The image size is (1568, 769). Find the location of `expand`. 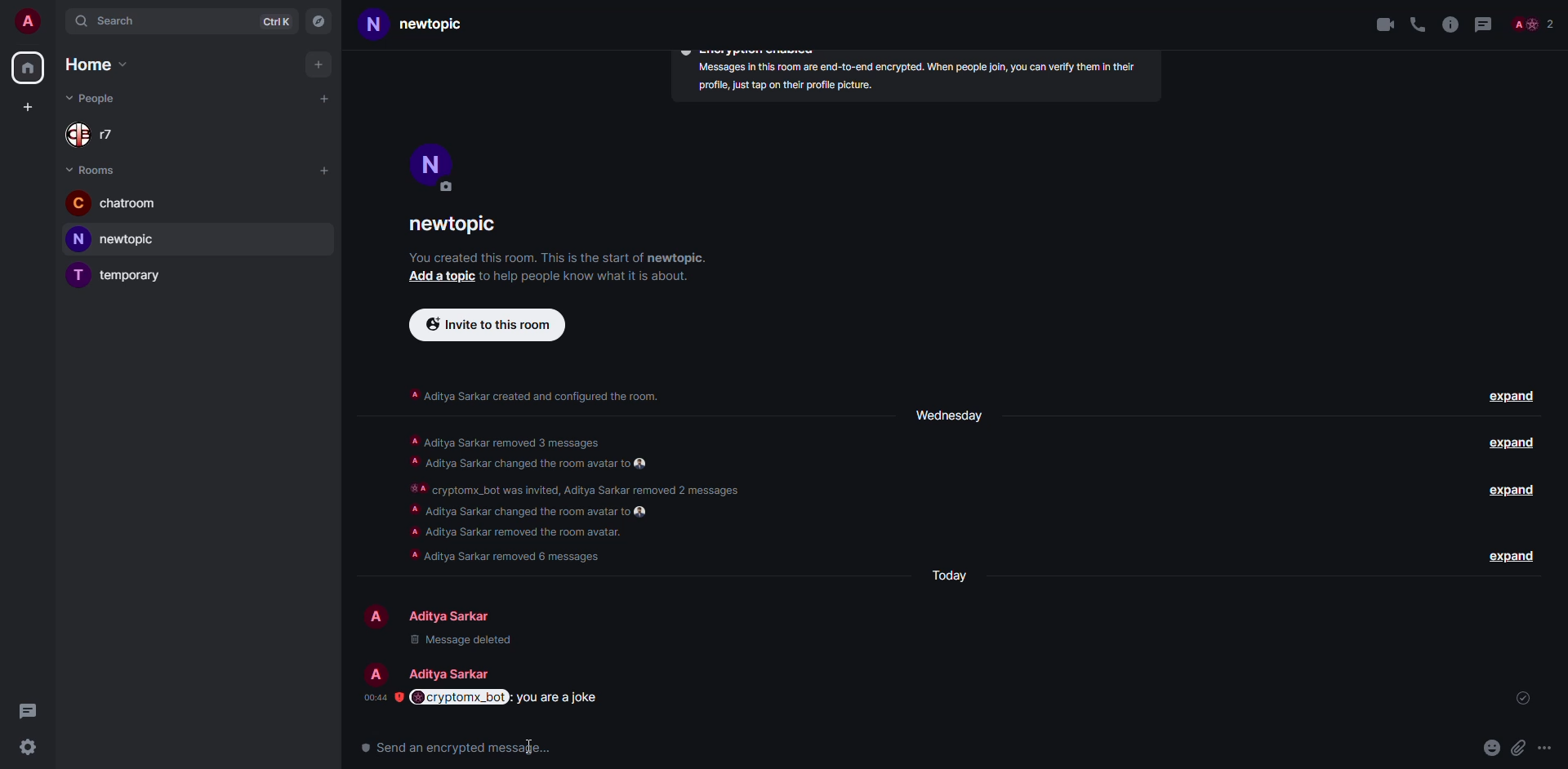

expand is located at coordinates (1515, 557).